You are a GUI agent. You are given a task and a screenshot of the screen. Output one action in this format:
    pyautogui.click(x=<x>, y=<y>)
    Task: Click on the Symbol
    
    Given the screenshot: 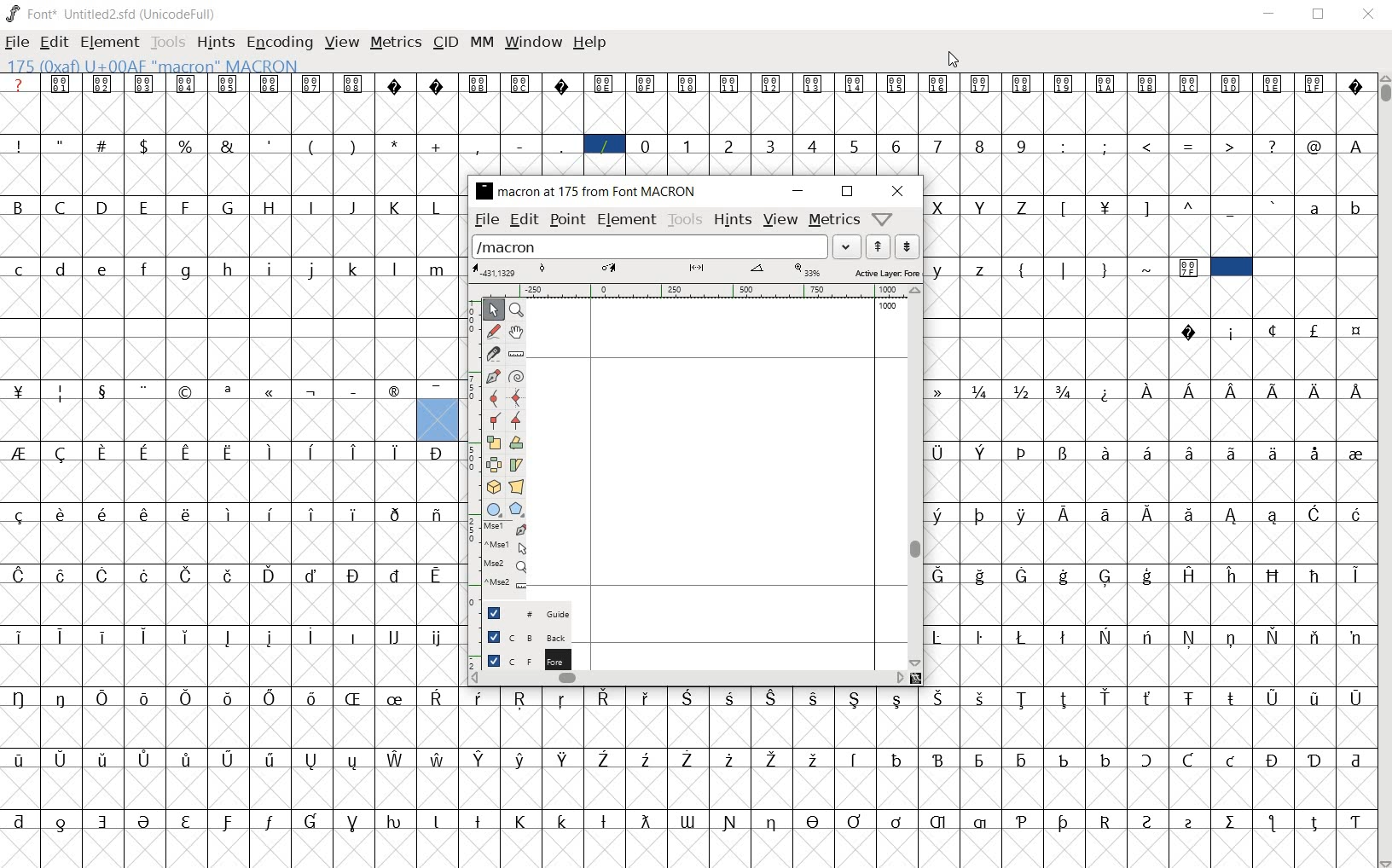 What is the action you would take?
    pyautogui.click(x=315, y=759)
    